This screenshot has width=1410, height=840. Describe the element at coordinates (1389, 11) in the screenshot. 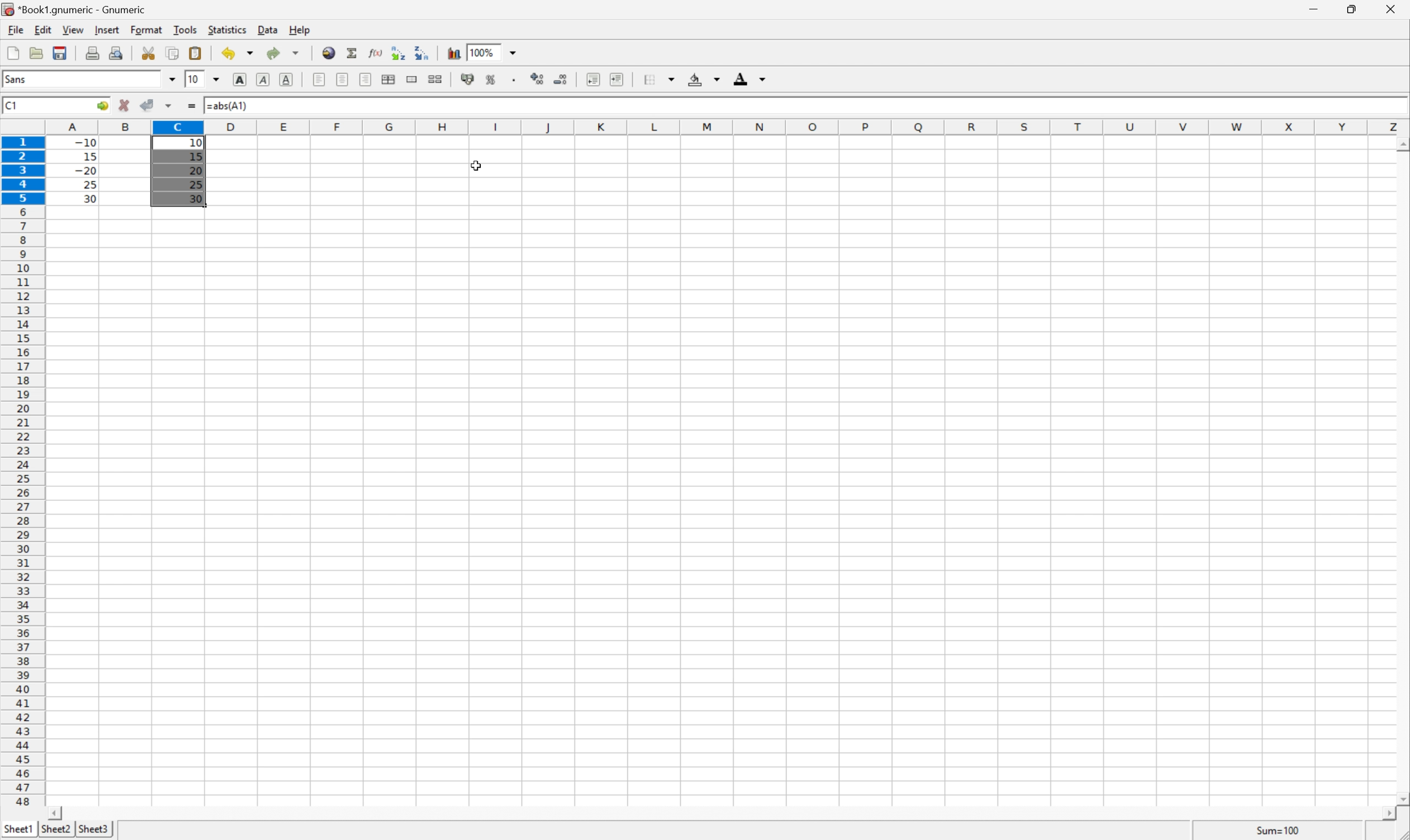

I see `close` at that location.